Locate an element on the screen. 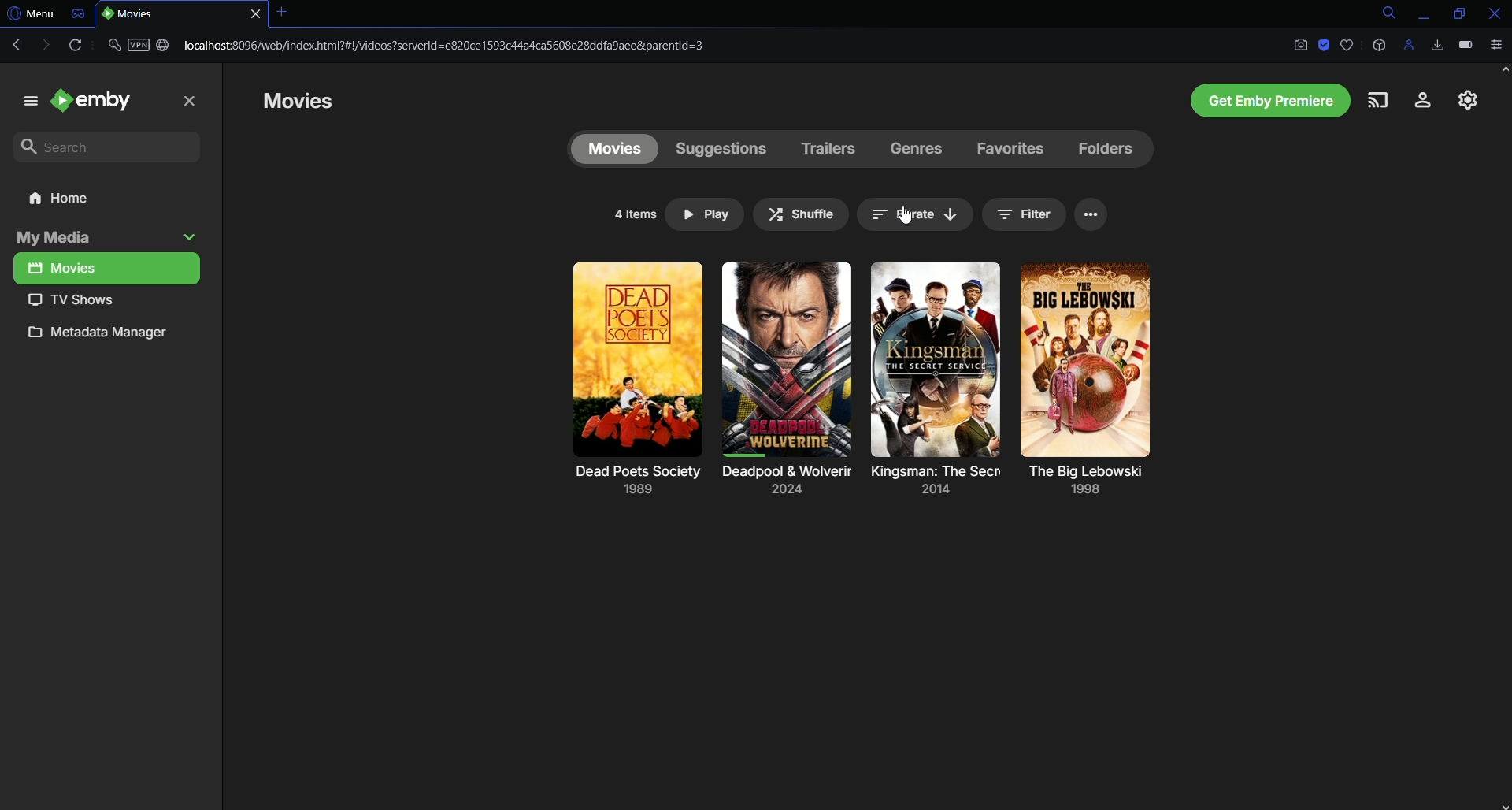 This screenshot has height=810, width=1512. Link is located at coordinates (450, 44).